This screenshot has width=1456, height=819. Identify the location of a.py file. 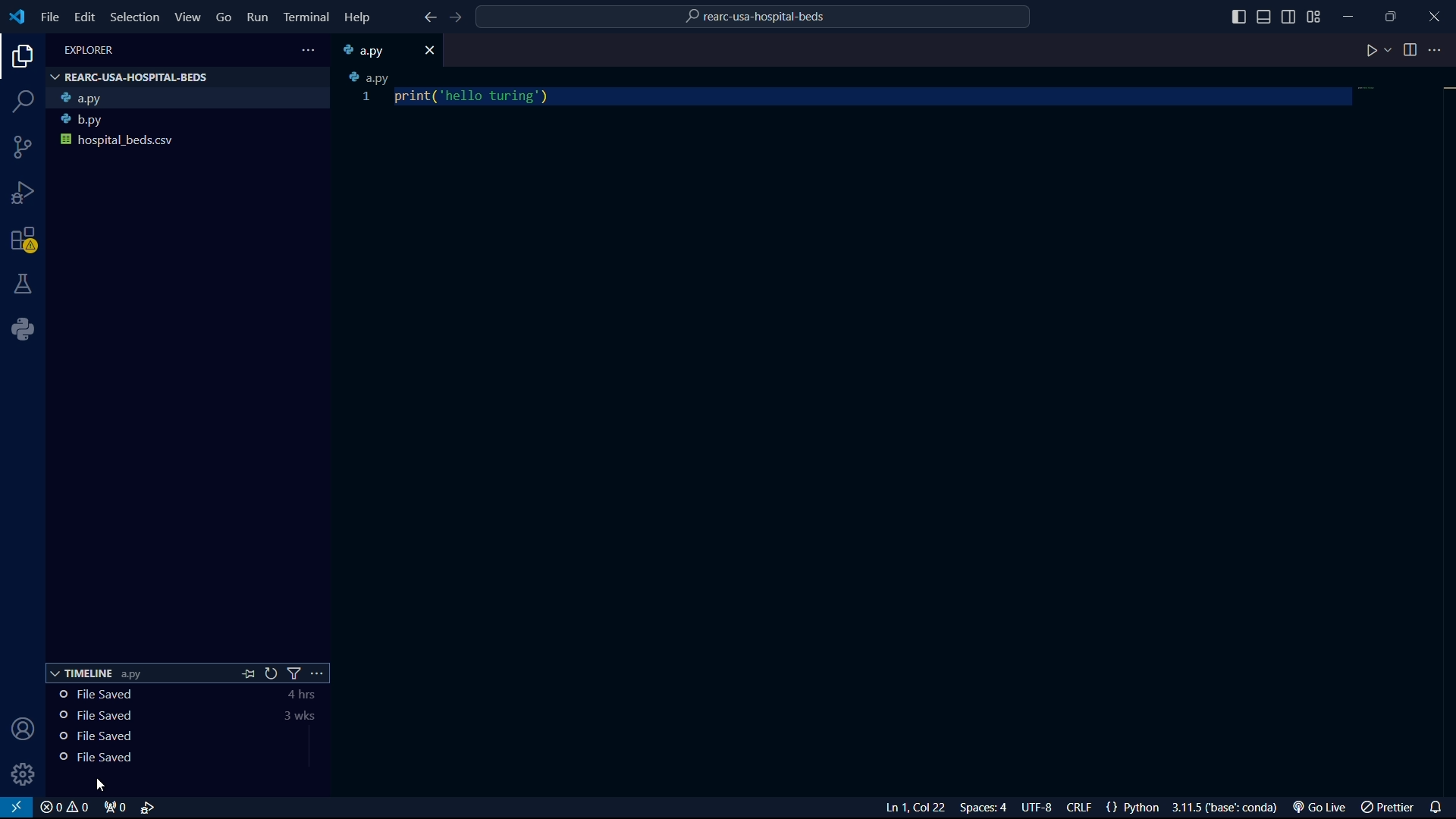
(190, 99).